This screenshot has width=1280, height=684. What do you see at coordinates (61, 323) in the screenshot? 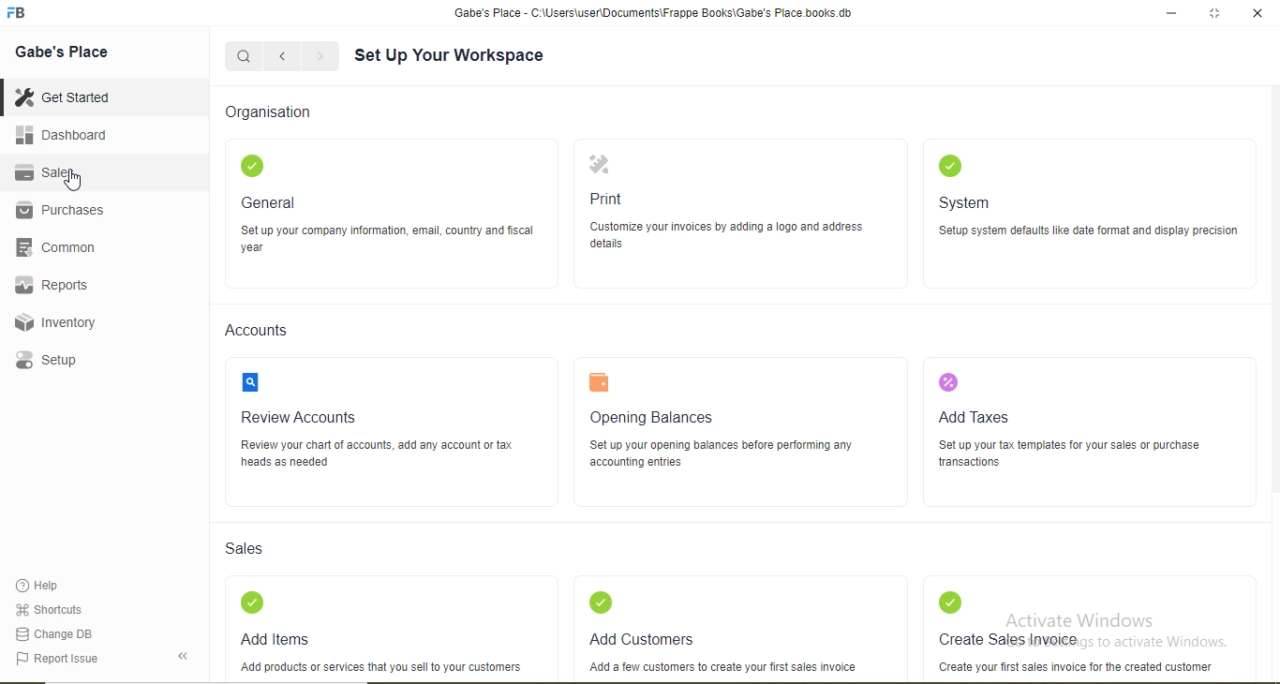
I see `Inventory` at bounding box center [61, 323].